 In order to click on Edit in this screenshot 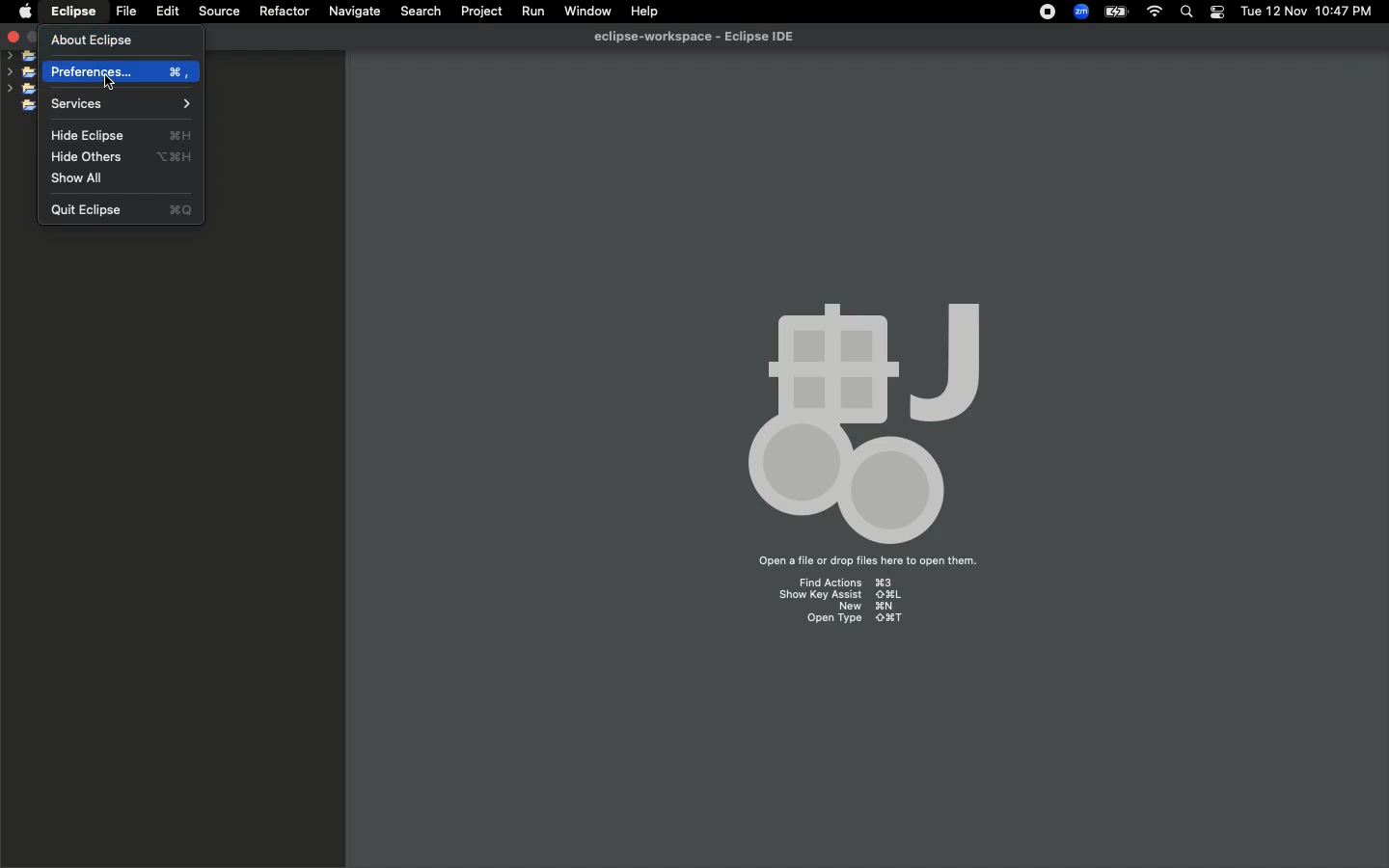, I will do `click(166, 12)`.